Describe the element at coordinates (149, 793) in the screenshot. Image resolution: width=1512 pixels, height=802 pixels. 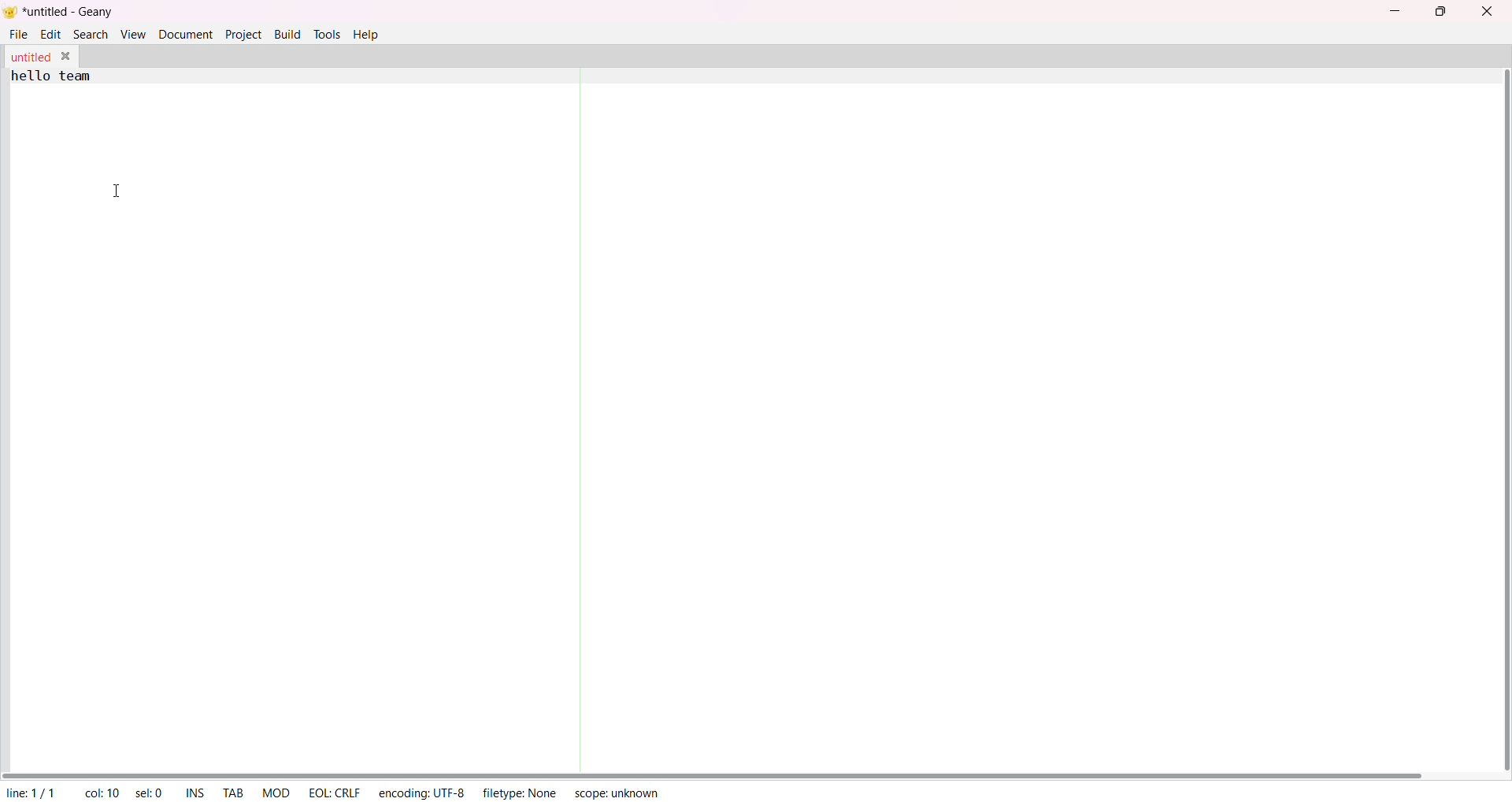
I see `sel: 0` at that location.